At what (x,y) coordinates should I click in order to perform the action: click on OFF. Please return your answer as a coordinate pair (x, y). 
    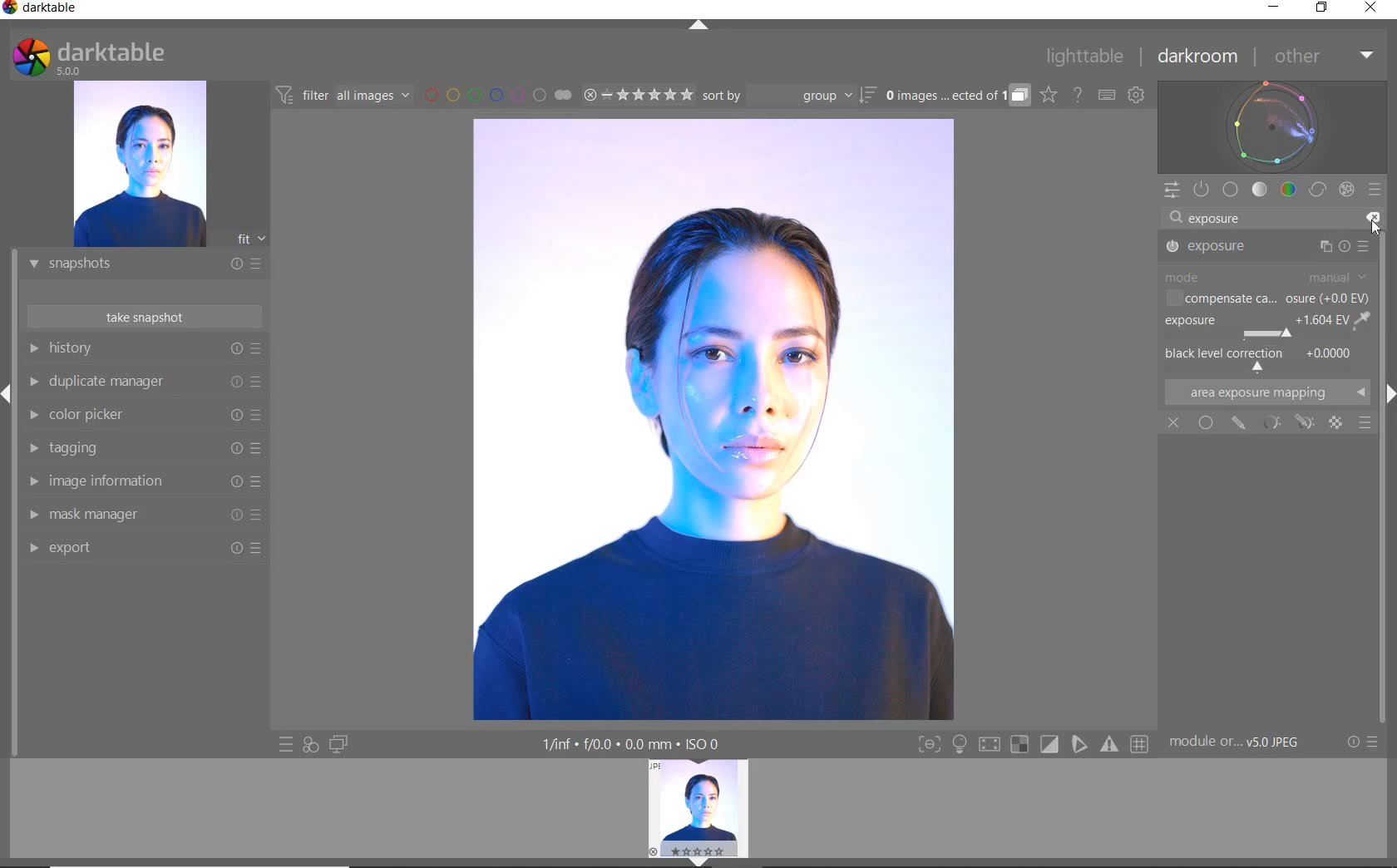
    Looking at the image, I should click on (1173, 424).